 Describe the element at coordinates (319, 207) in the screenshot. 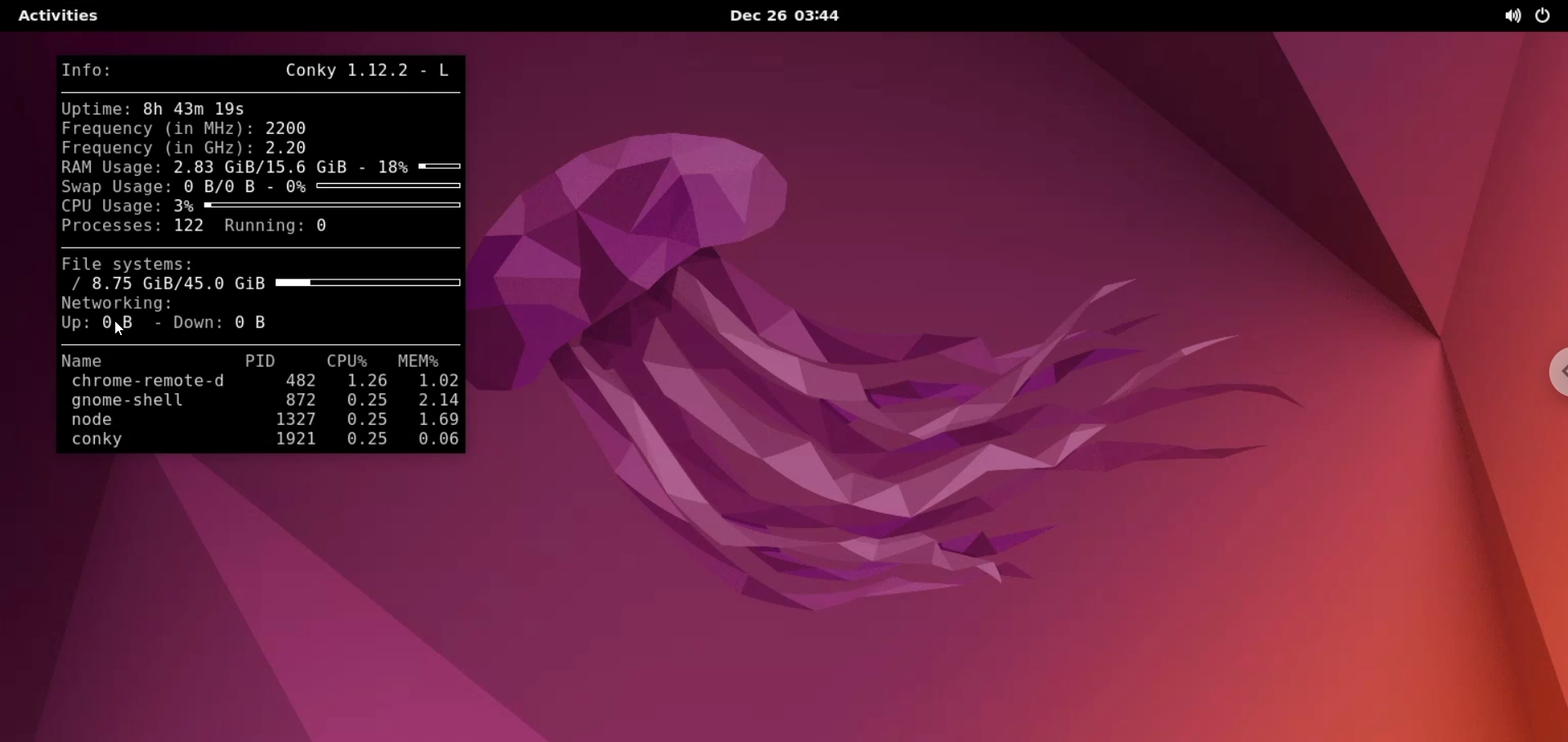

I see `3%` at that location.